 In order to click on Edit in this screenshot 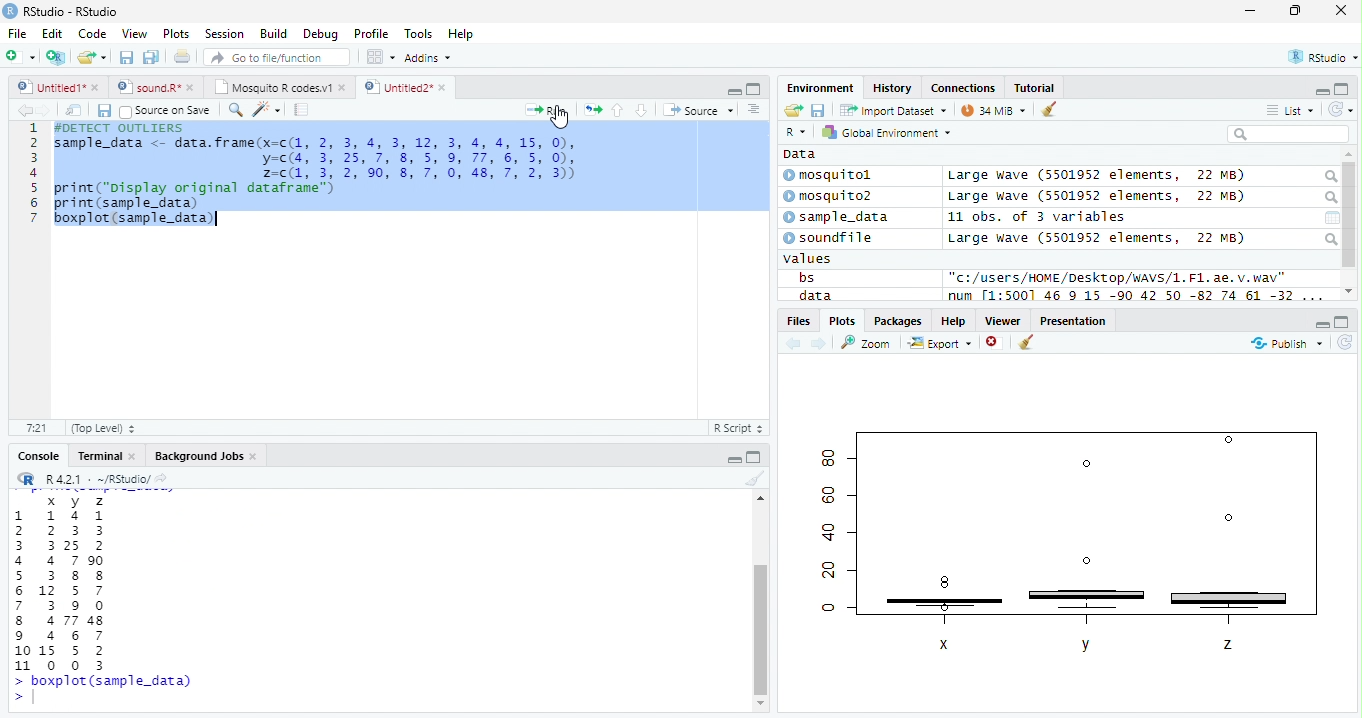, I will do `click(53, 34)`.